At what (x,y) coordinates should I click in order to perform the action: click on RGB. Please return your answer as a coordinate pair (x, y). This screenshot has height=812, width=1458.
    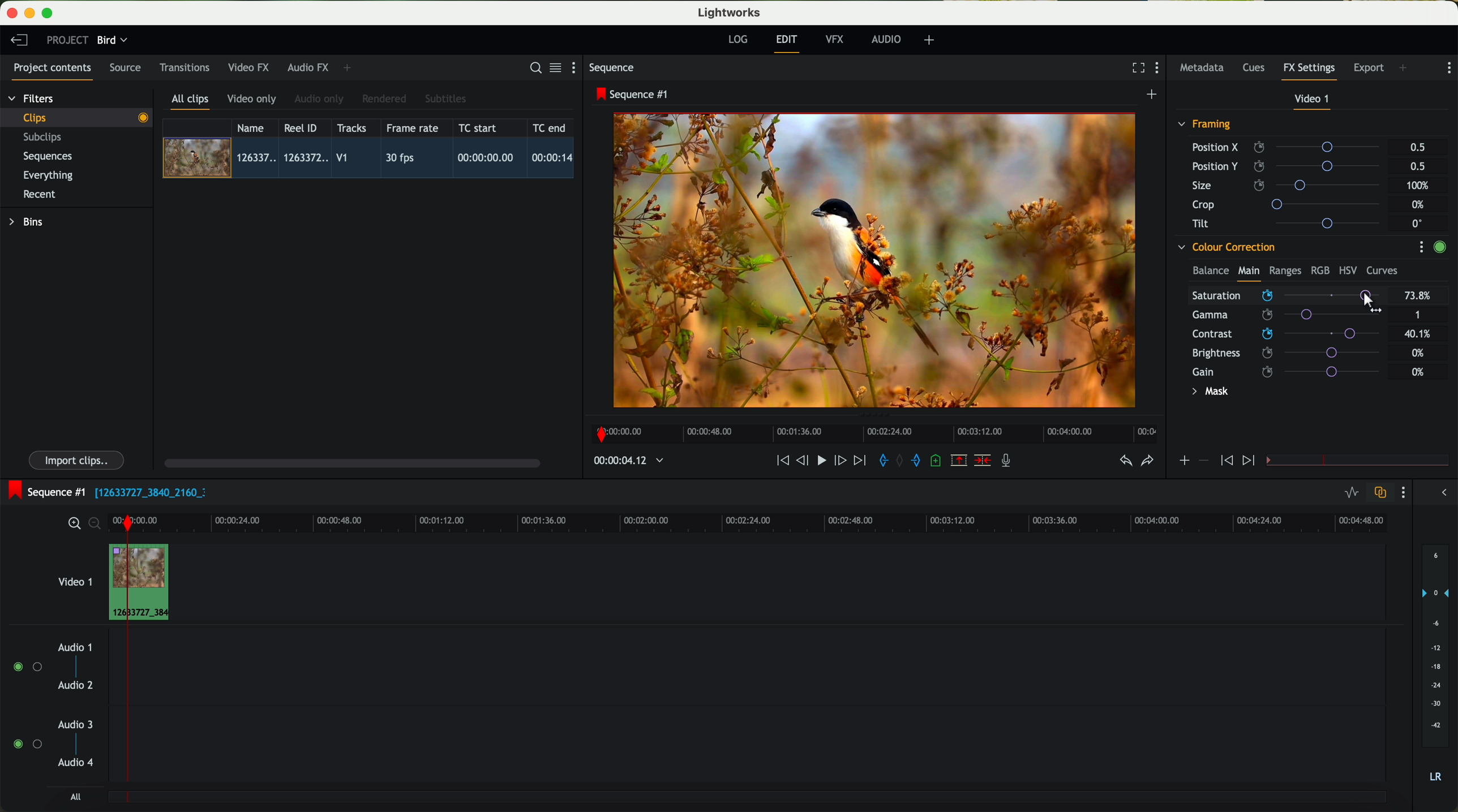
    Looking at the image, I should click on (1319, 269).